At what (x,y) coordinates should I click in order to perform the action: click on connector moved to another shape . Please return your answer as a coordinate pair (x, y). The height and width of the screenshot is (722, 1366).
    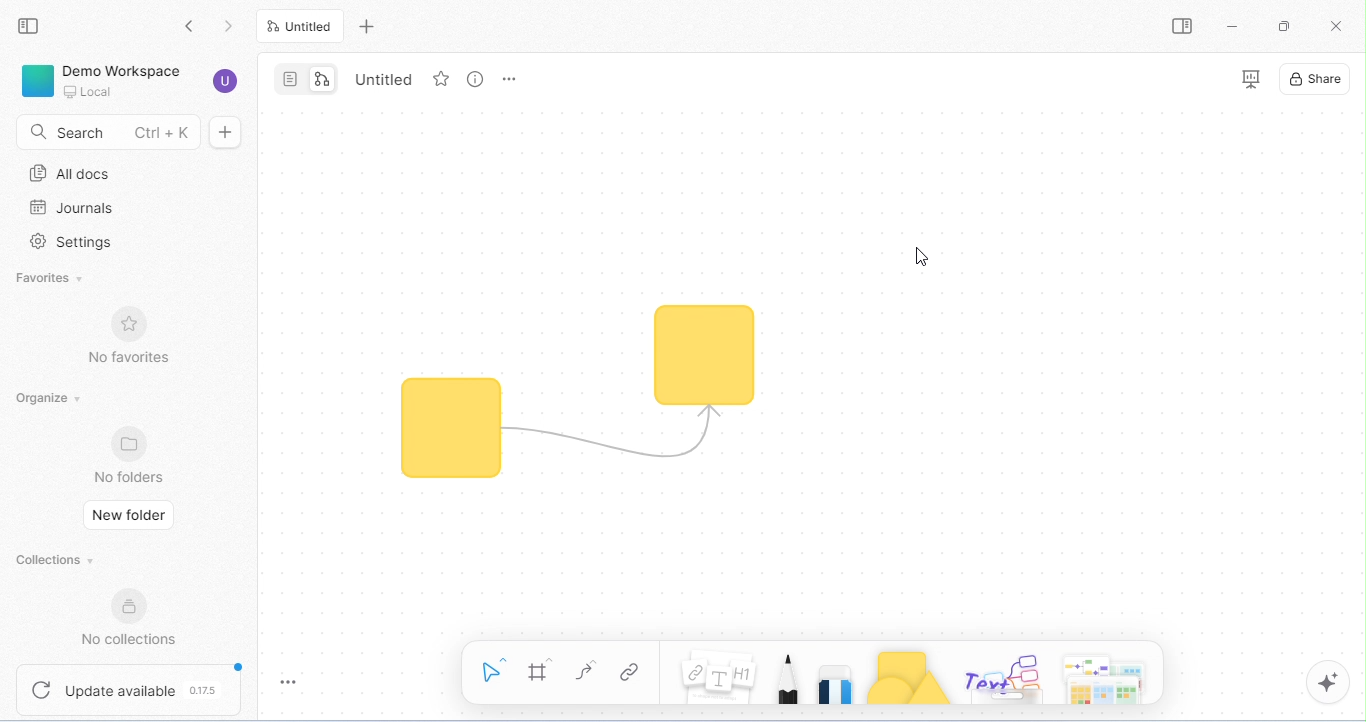
    Looking at the image, I should click on (709, 349).